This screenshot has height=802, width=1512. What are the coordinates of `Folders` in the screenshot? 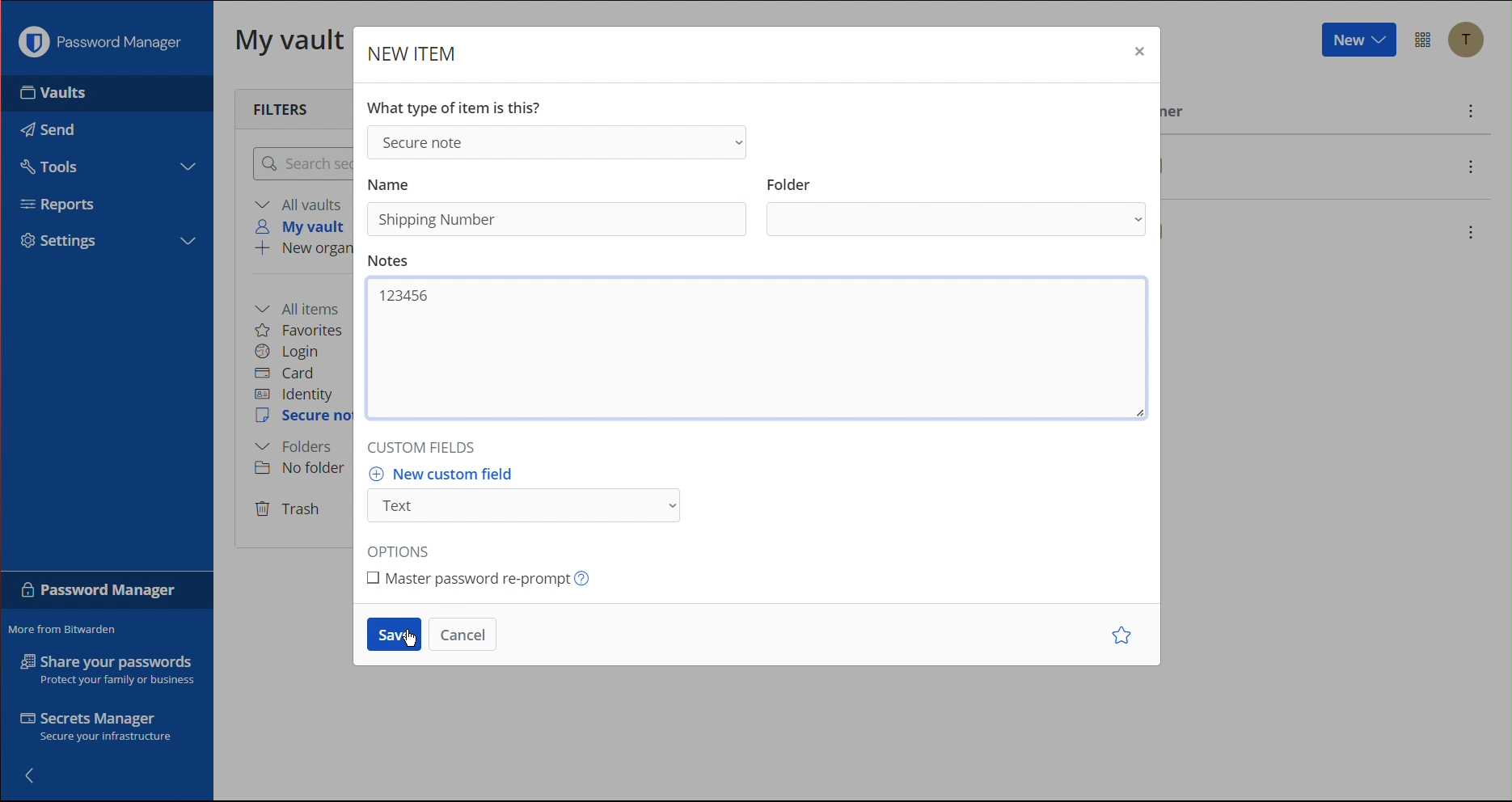 It's located at (298, 446).